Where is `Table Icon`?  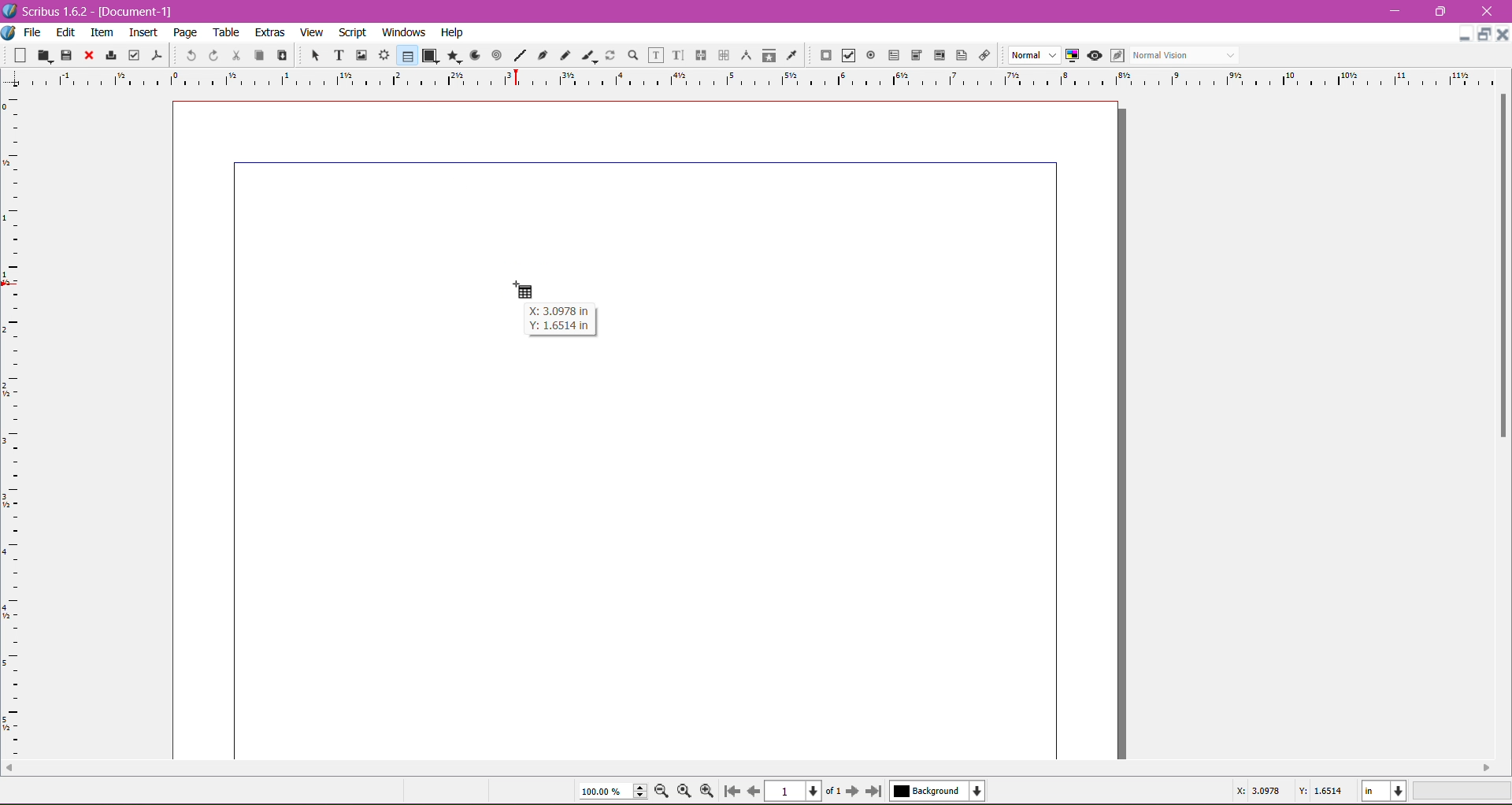 Table Icon is located at coordinates (528, 288).